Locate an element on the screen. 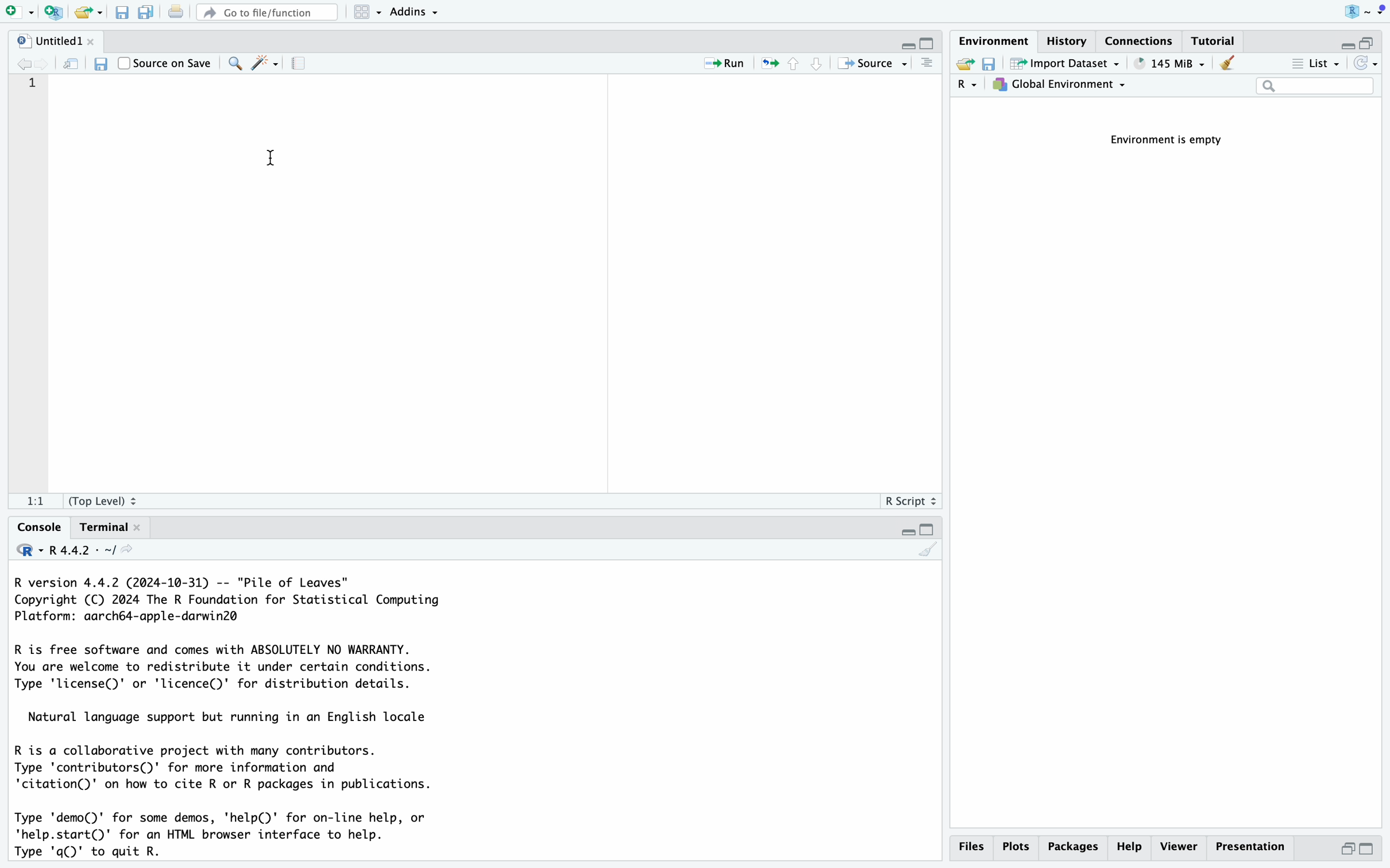  save all open documents is located at coordinates (145, 12).